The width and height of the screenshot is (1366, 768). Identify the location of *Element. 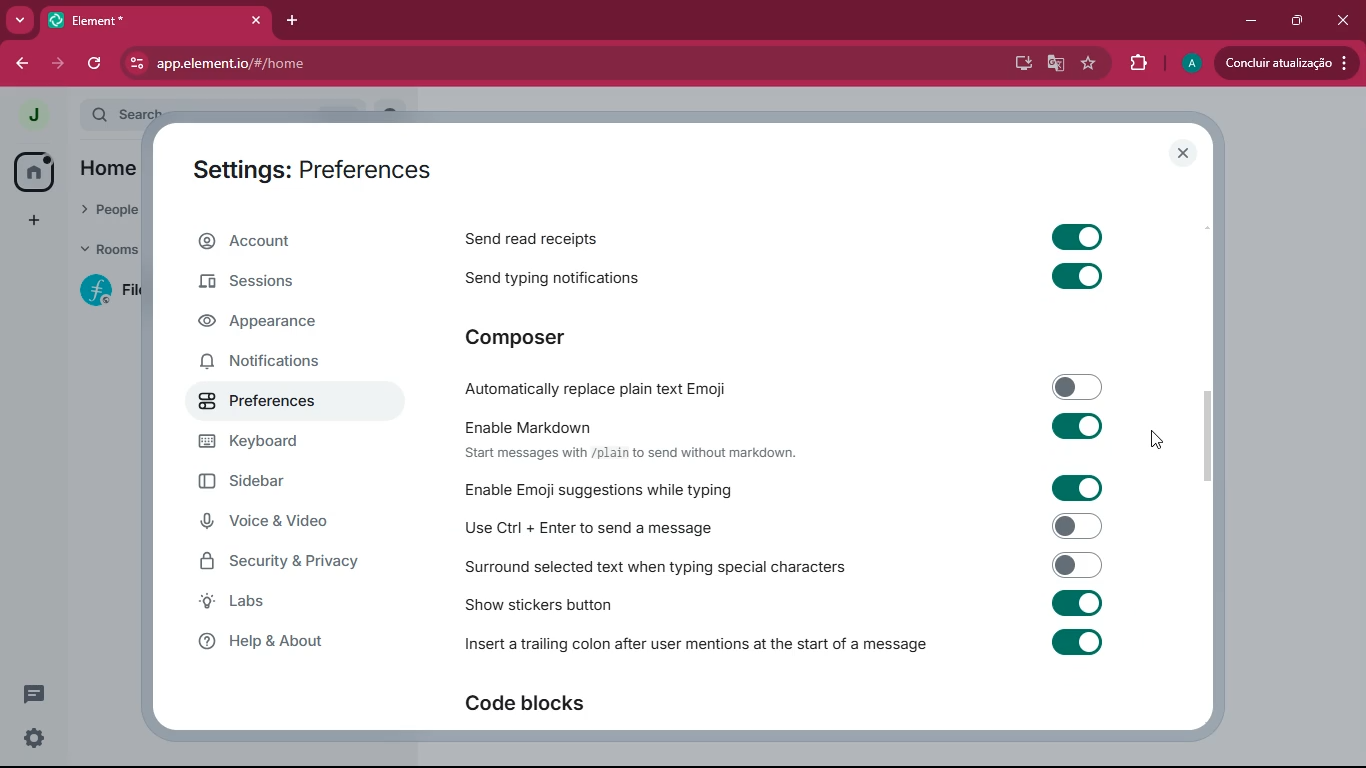
(155, 24).